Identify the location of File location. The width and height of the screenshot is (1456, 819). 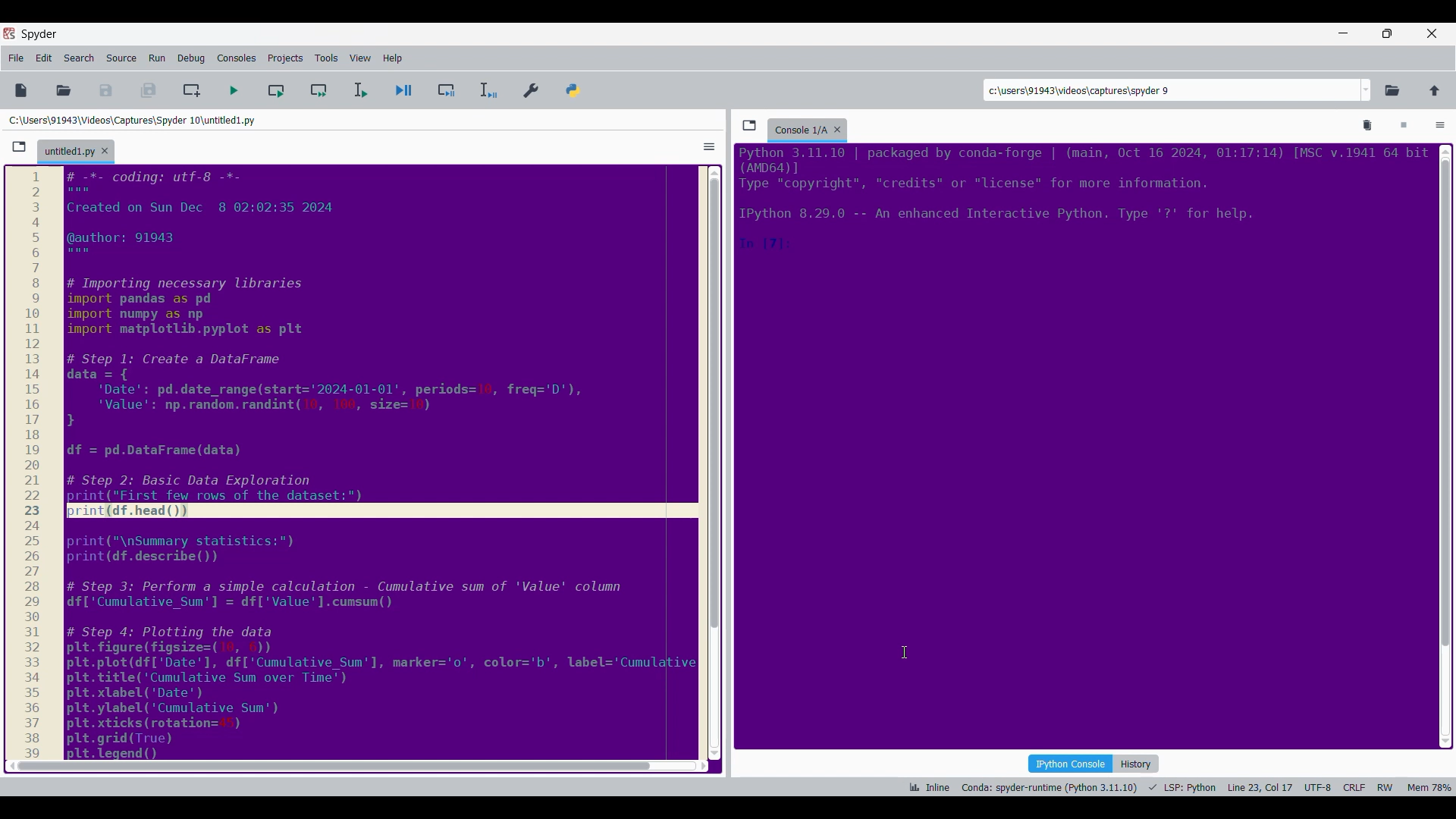
(132, 120).